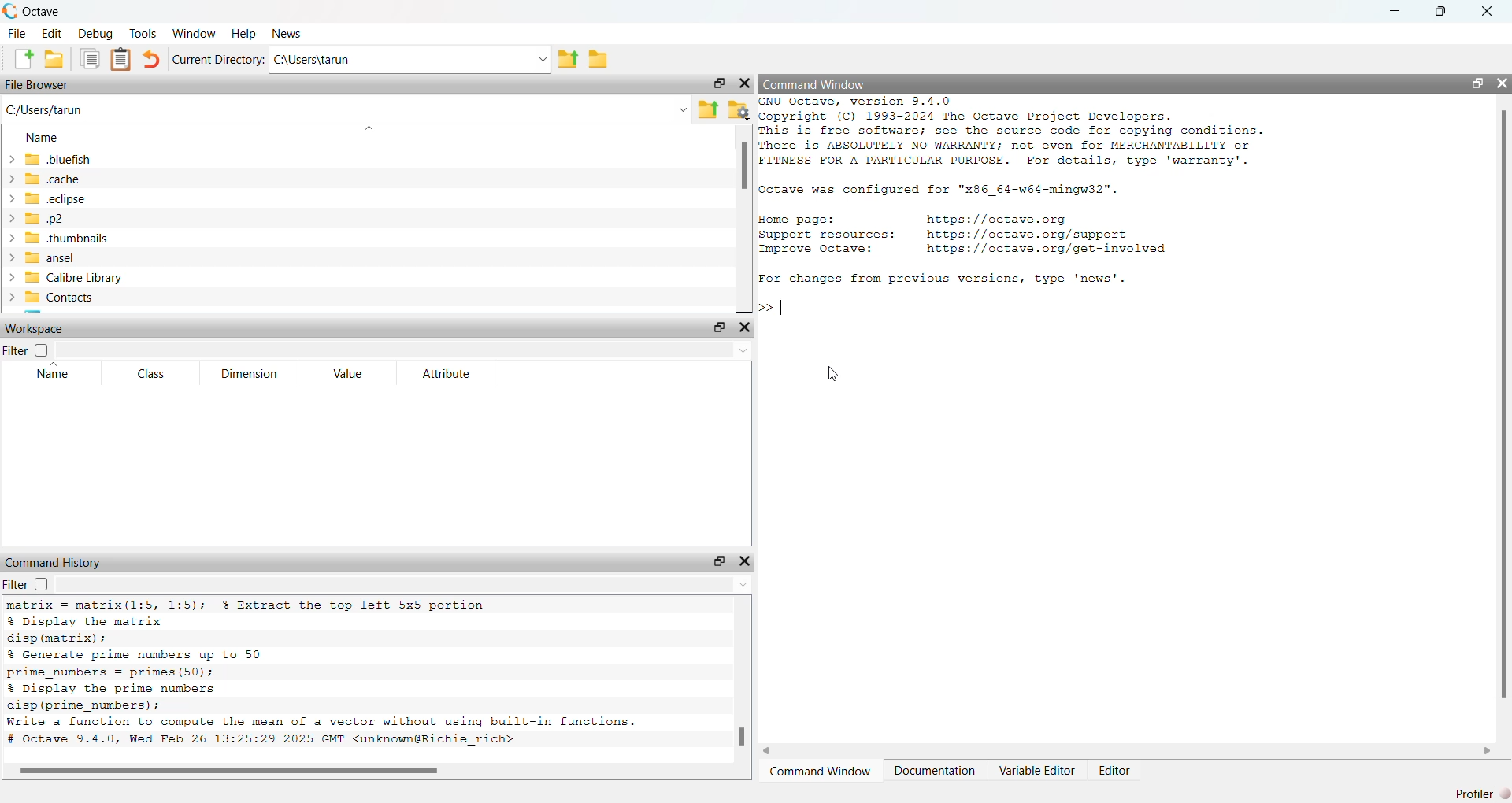  I want to click on class, so click(154, 374).